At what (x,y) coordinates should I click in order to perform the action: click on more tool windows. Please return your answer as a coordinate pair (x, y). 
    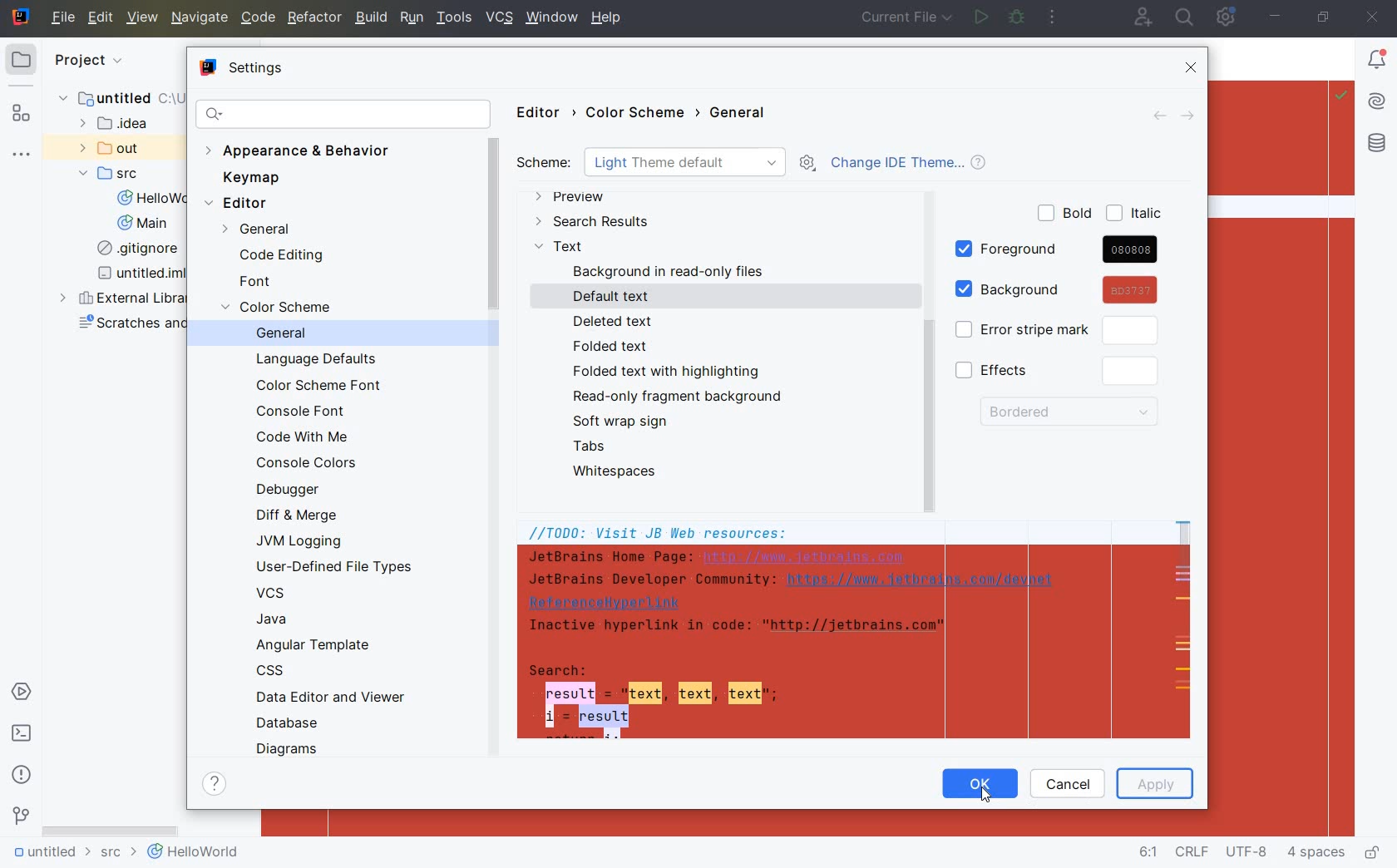
    Looking at the image, I should click on (24, 155).